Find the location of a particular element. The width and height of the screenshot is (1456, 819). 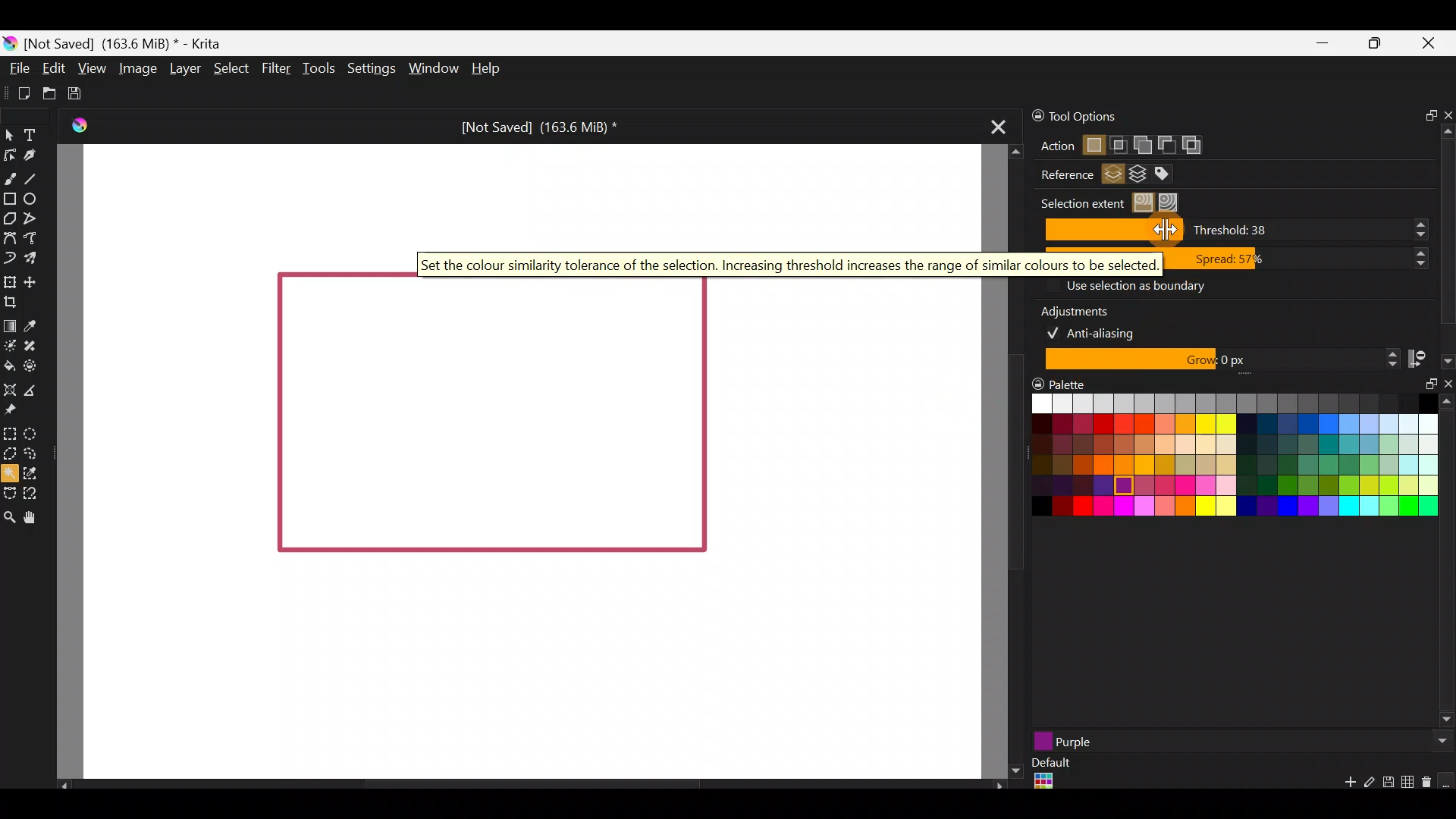

Intersect is located at coordinates (1119, 142).